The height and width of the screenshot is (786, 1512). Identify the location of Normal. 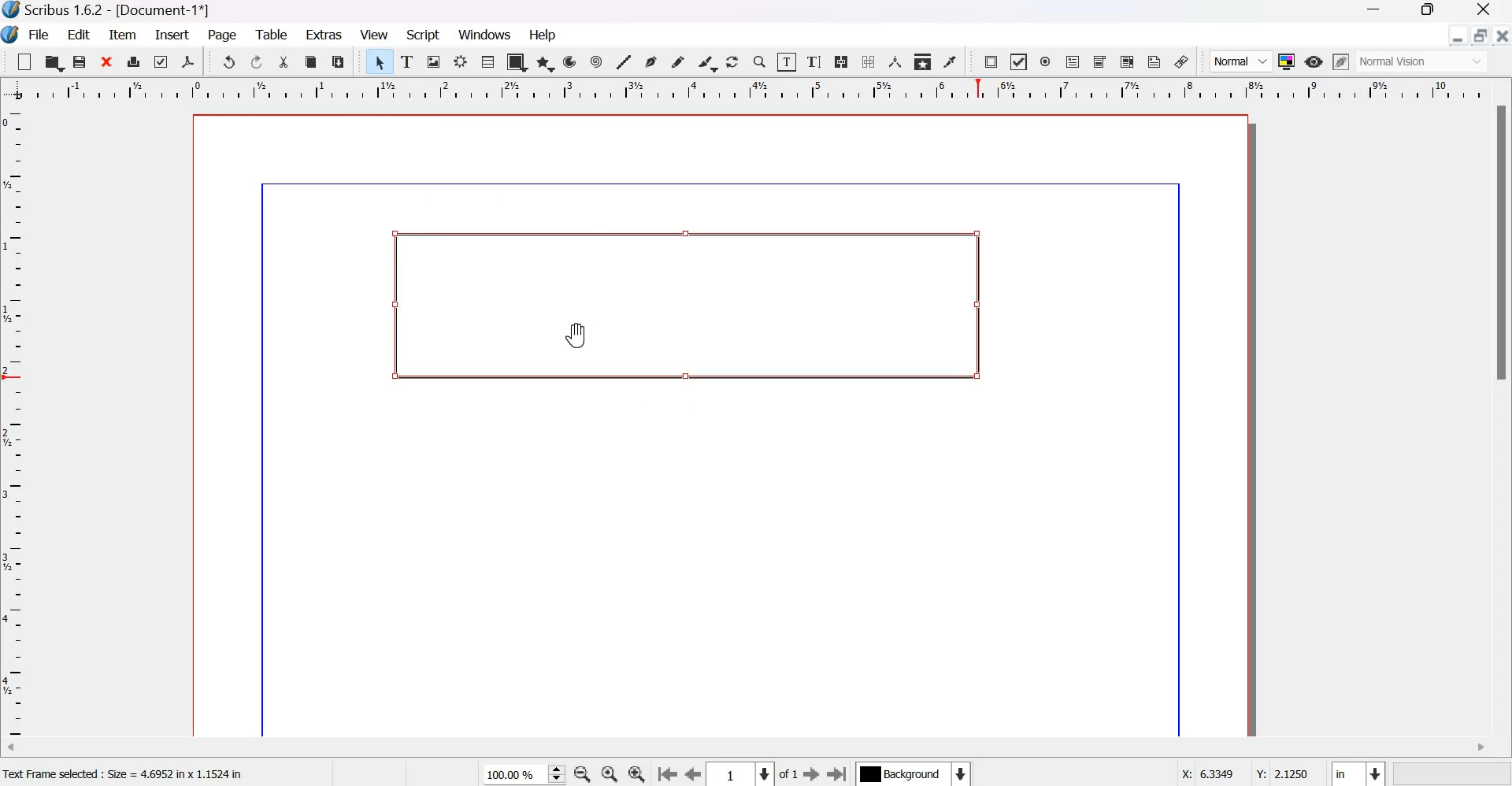
(1241, 61).